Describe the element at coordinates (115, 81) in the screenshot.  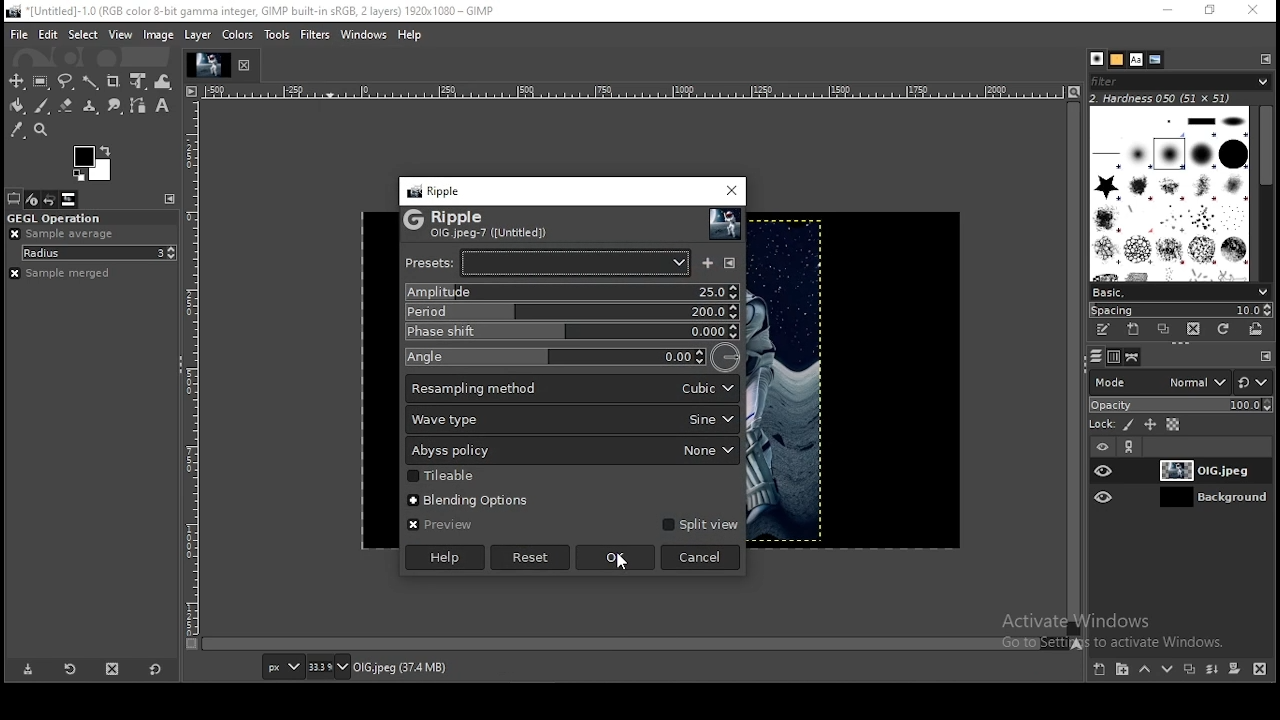
I see `crop` at that location.